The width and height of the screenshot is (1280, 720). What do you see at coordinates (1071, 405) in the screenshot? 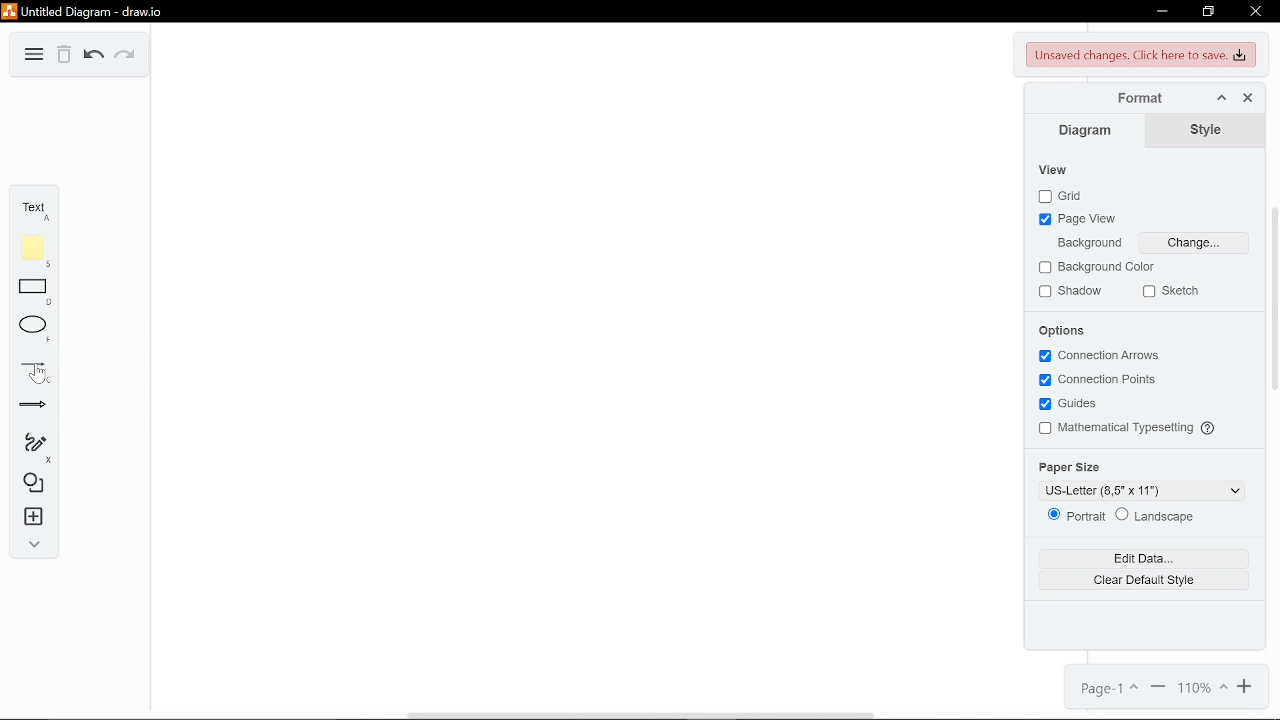
I see `Guides` at bounding box center [1071, 405].